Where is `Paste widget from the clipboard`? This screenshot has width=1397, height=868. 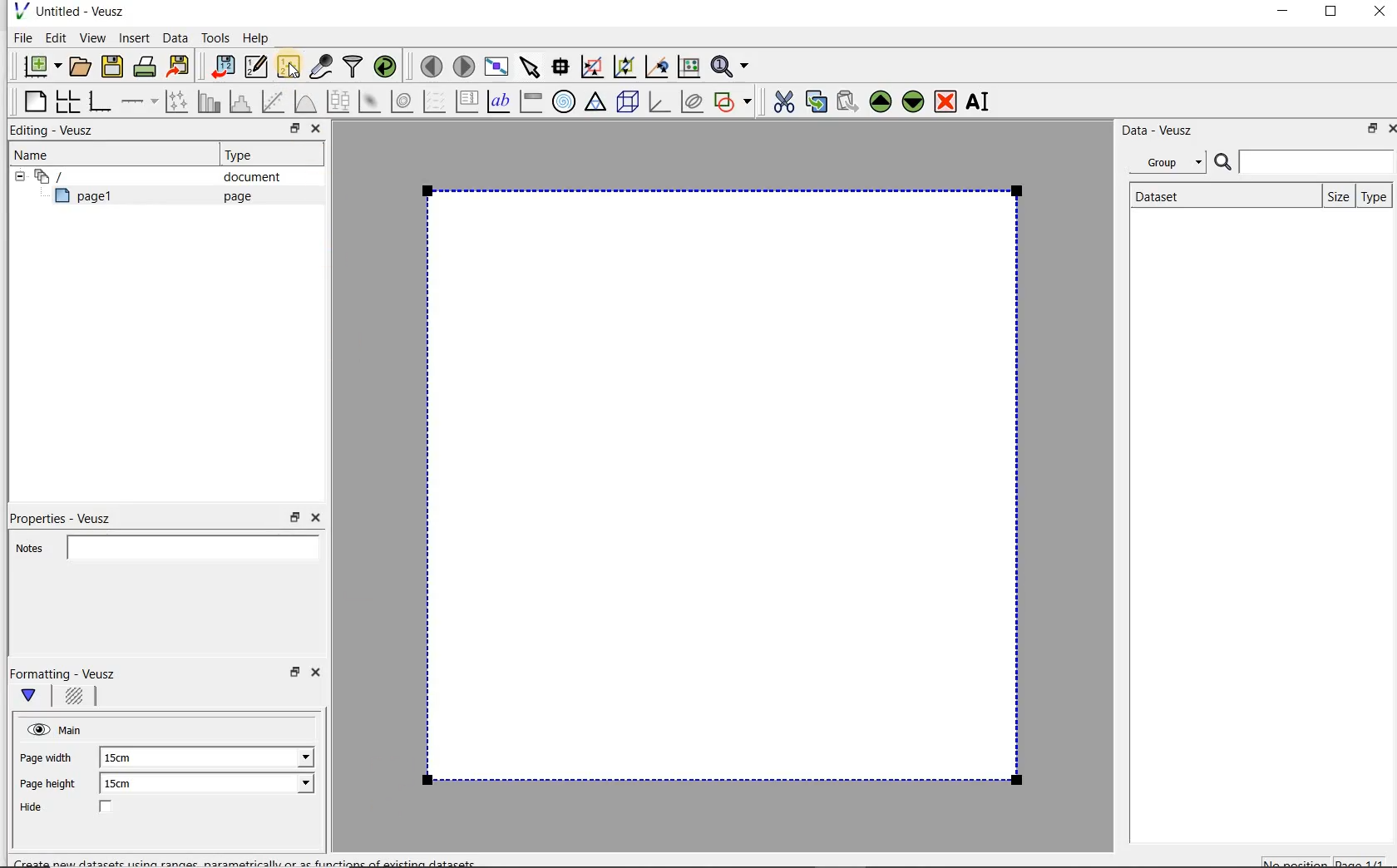 Paste widget from the clipboard is located at coordinates (850, 101).